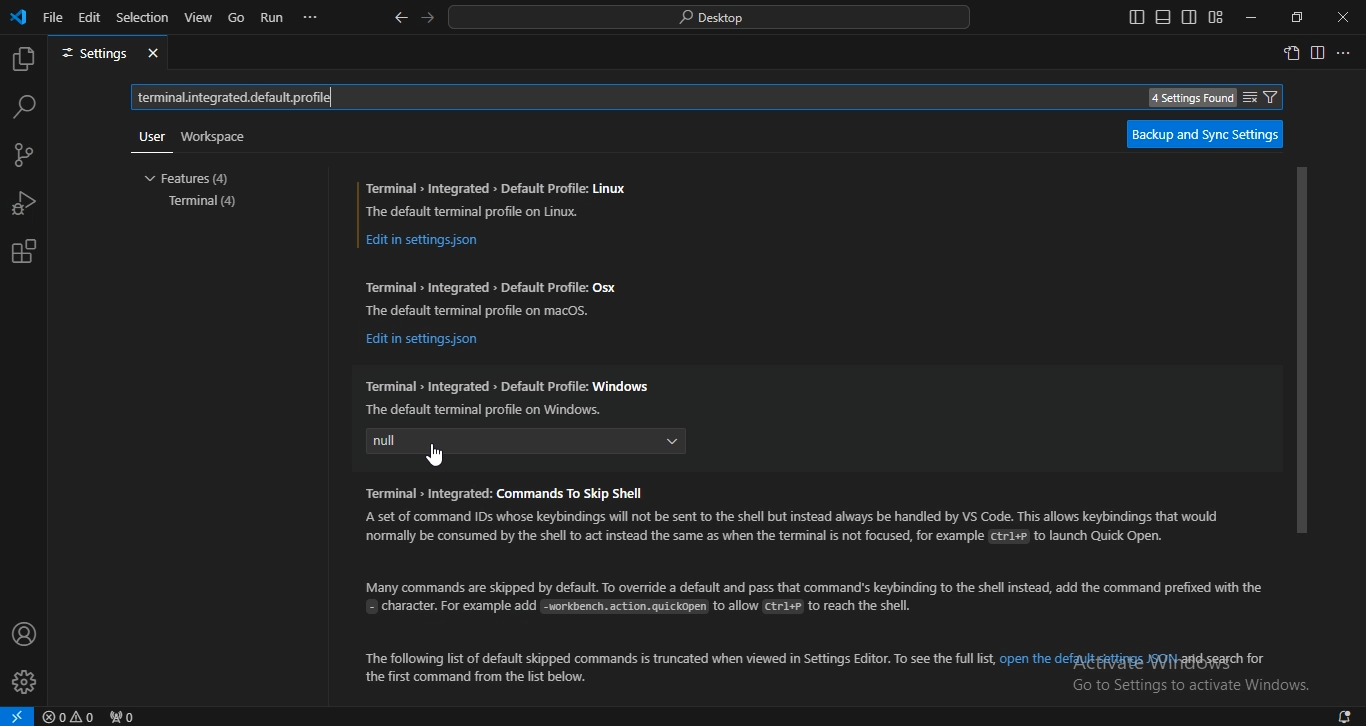  What do you see at coordinates (1320, 52) in the screenshot?
I see `split right editor` at bounding box center [1320, 52].